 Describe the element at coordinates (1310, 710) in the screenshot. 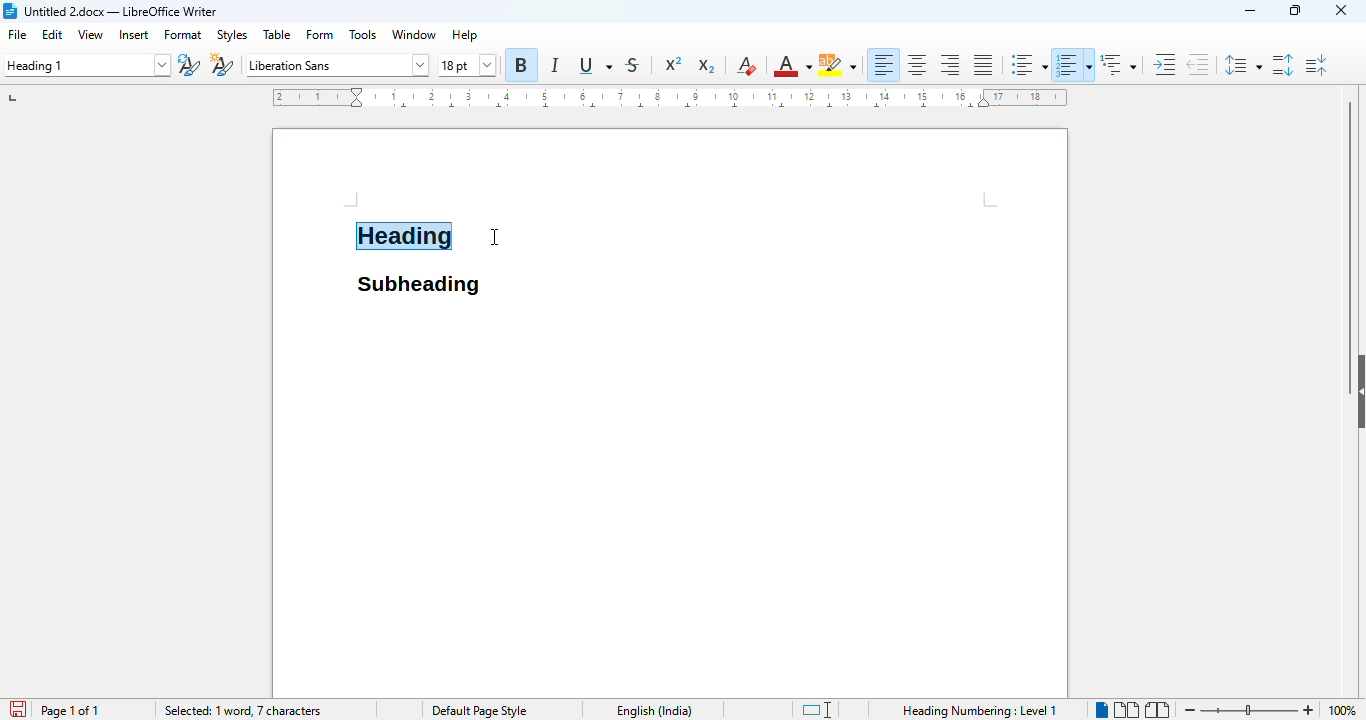

I see `zoom in` at that location.